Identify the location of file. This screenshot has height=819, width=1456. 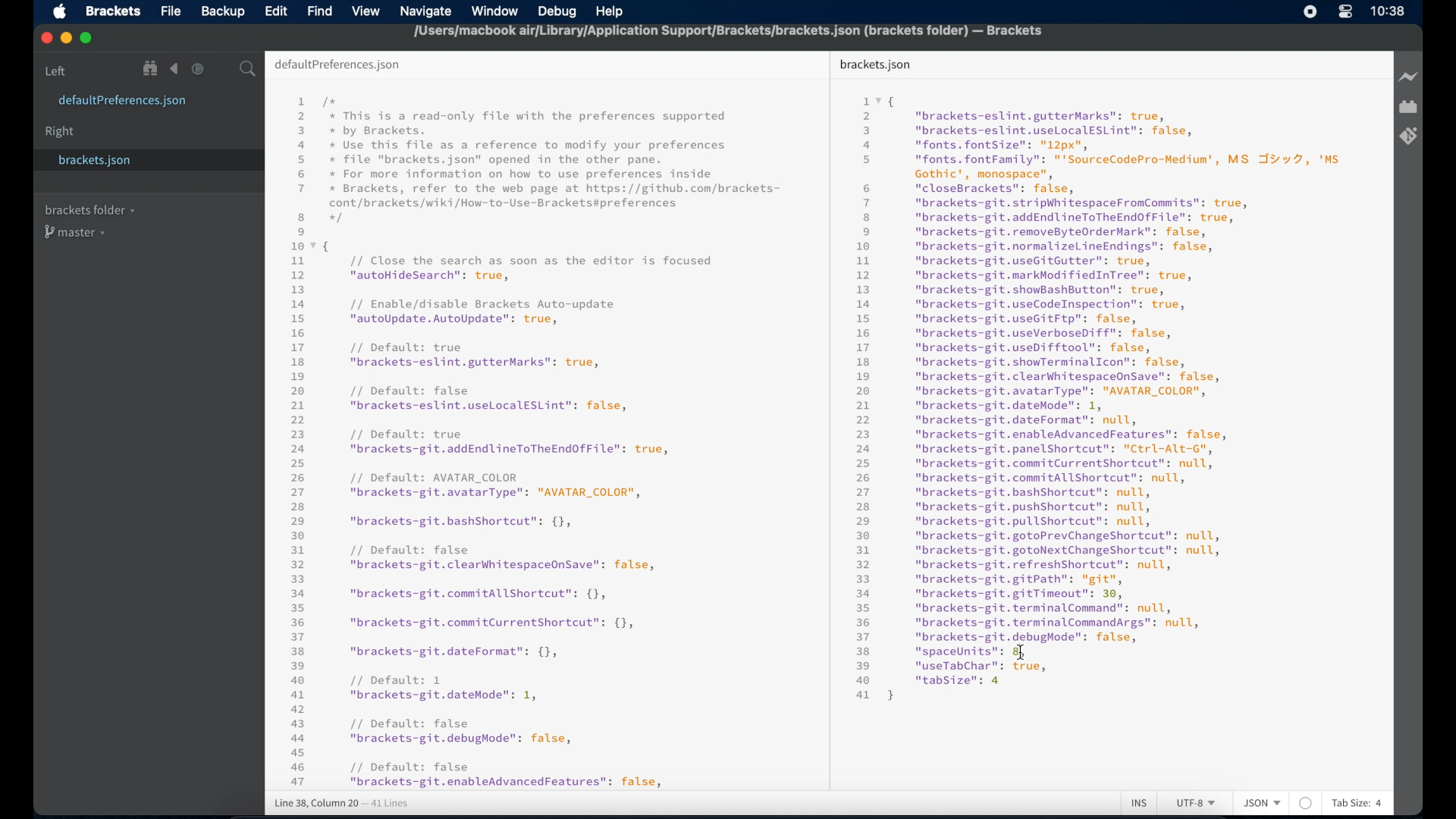
(172, 12).